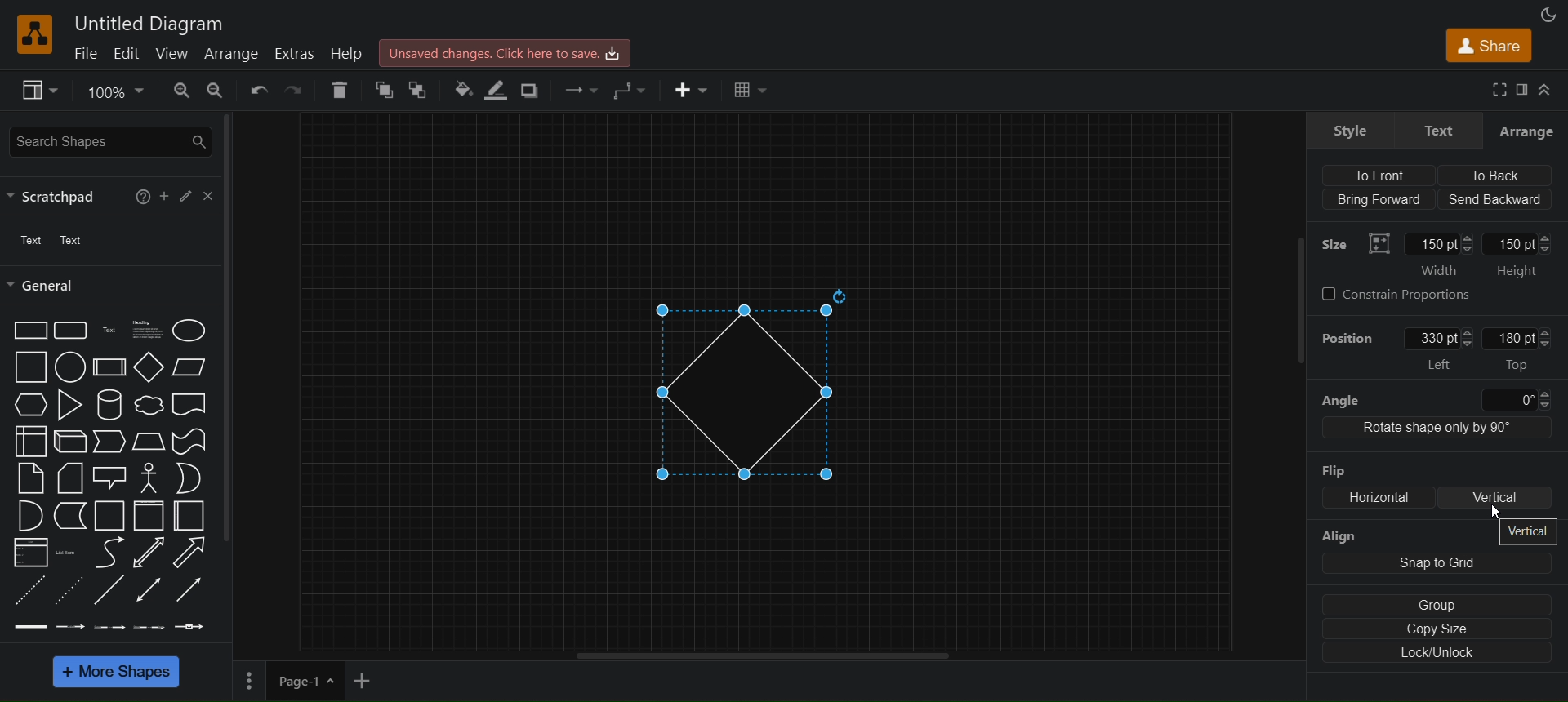 Image resolution: width=1568 pixels, height=702 pixels. I want to click on view, so click(177, 54).